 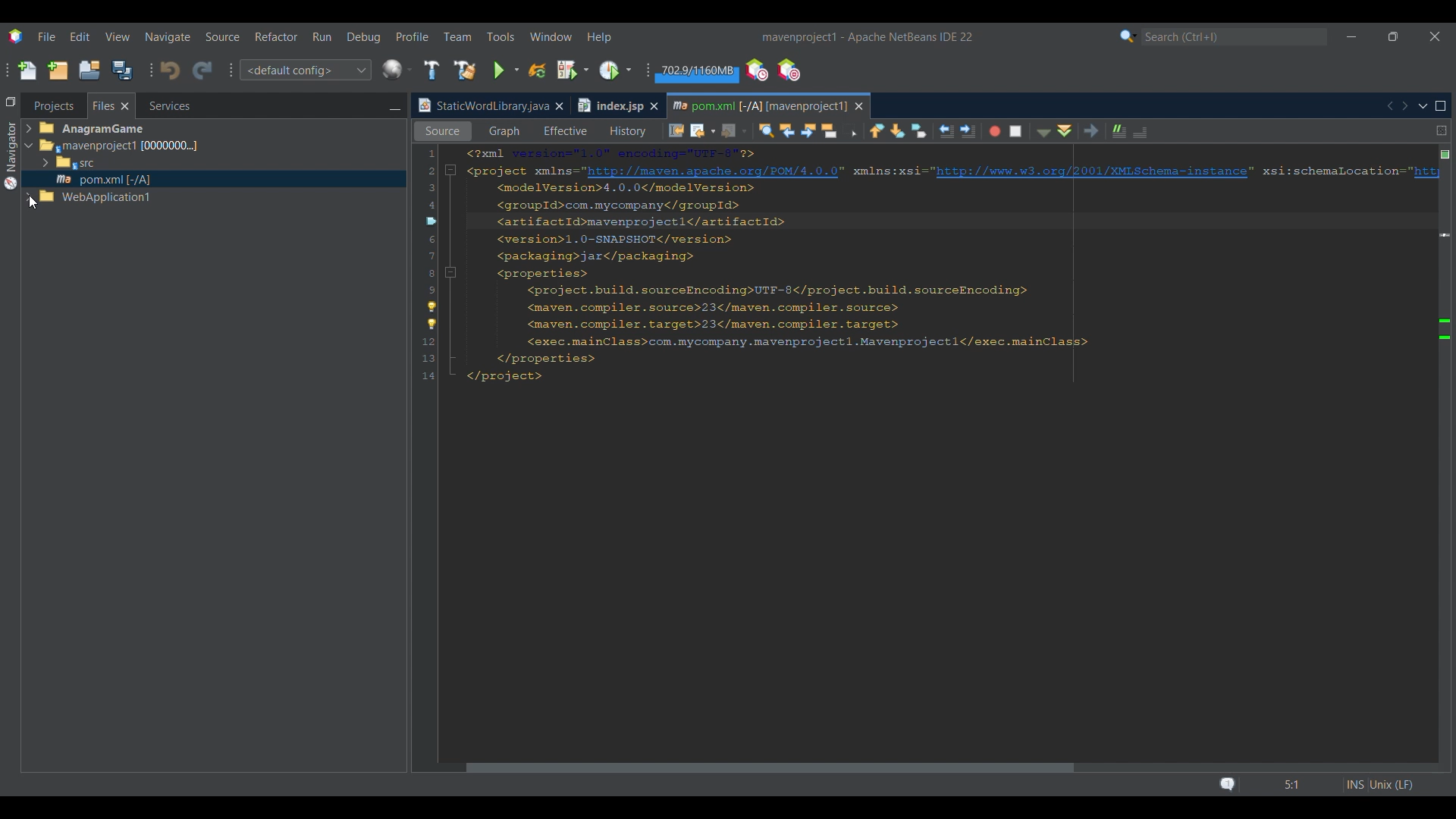 What do you see at coordinates (53, 105) in the screenshot?
I see `Projects tab` at bounding box center [53, 105].